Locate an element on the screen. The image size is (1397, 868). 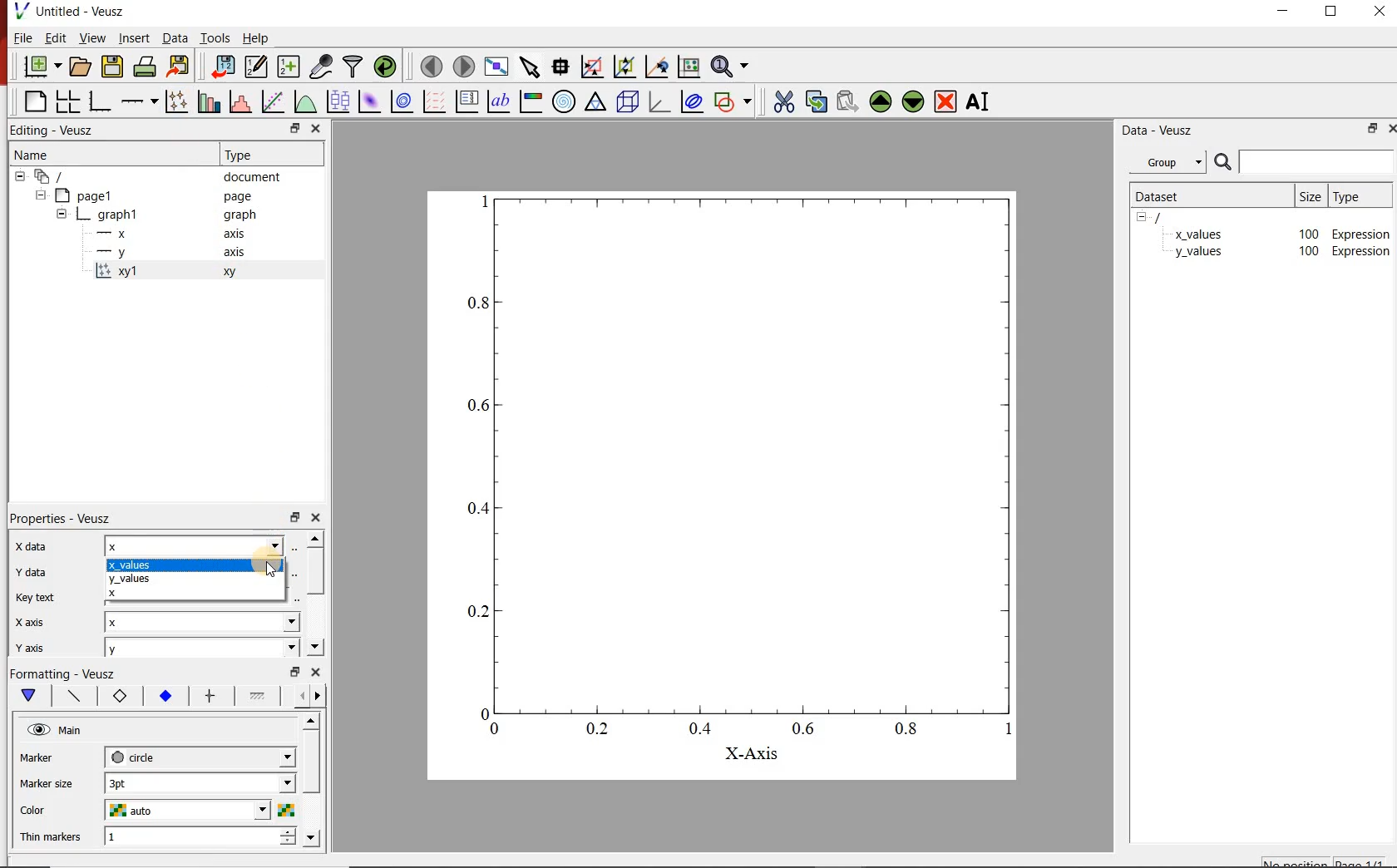
Editing - Veusz is located at coordinates (53, 131).